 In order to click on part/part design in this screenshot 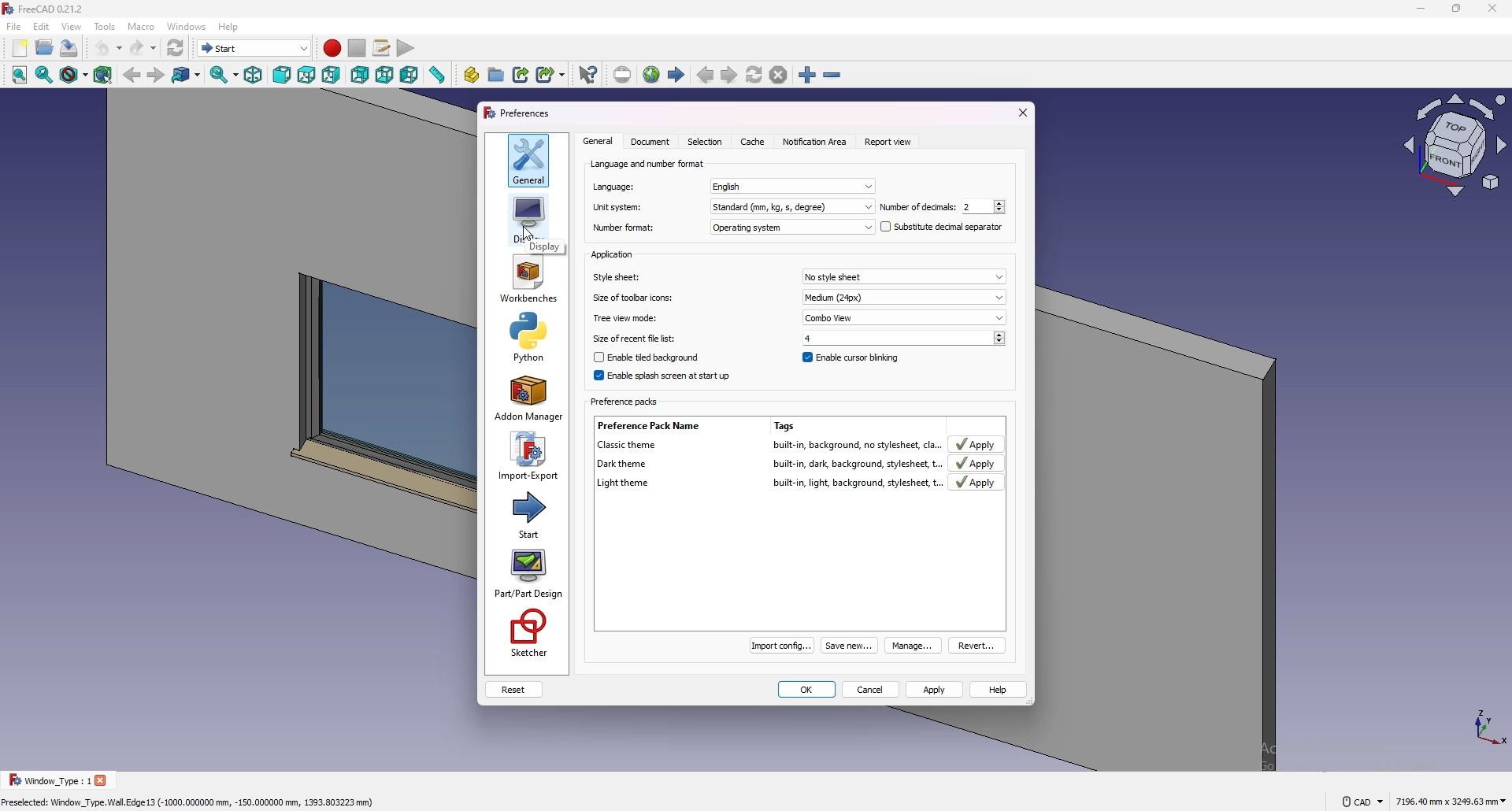, I will do `click(529, 574)`.